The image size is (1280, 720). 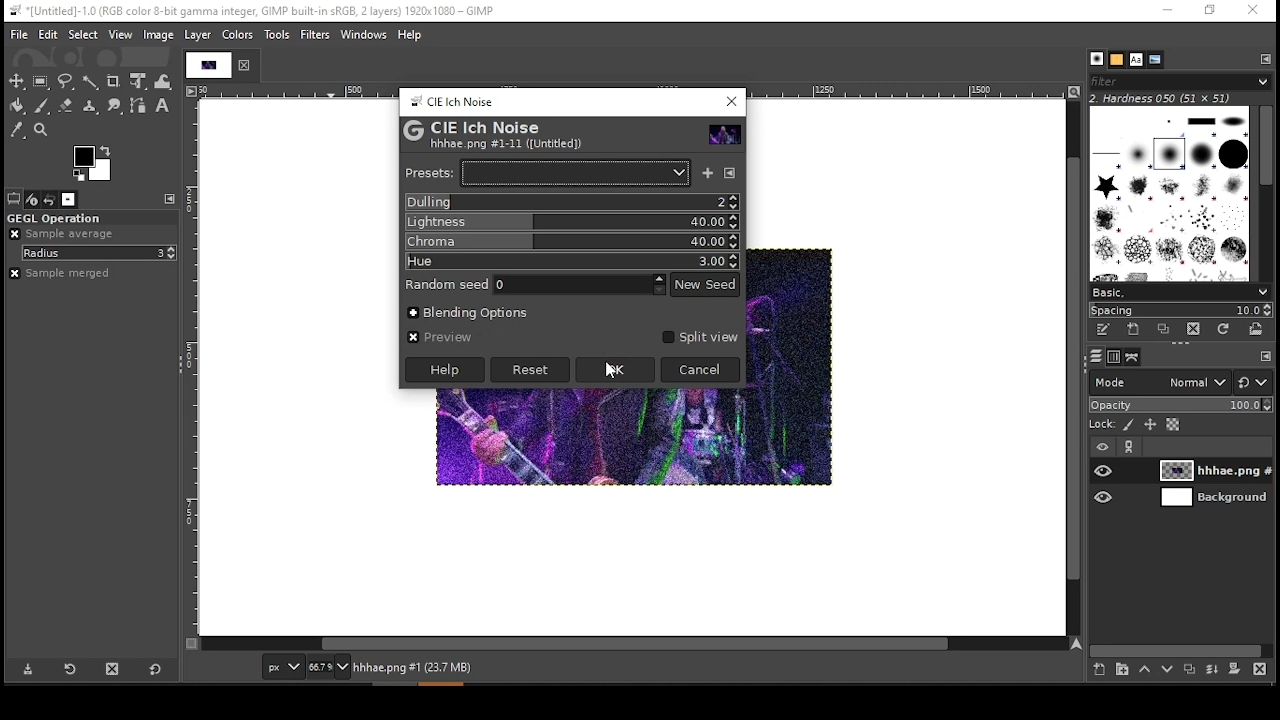 I want to click on file, so click(x=17, y=34).